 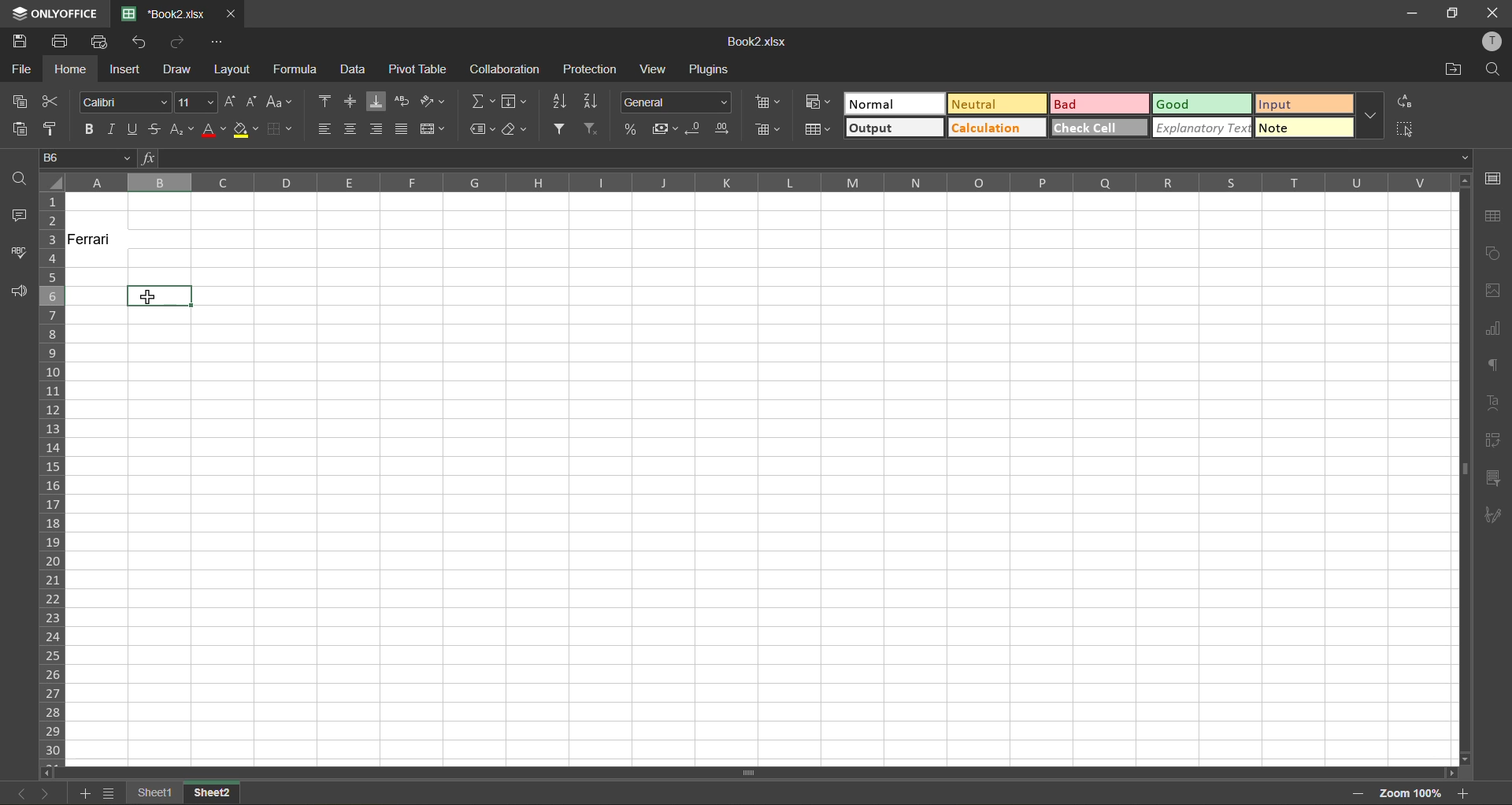 I want to click on scroll down, so click(x=1466, y=759).